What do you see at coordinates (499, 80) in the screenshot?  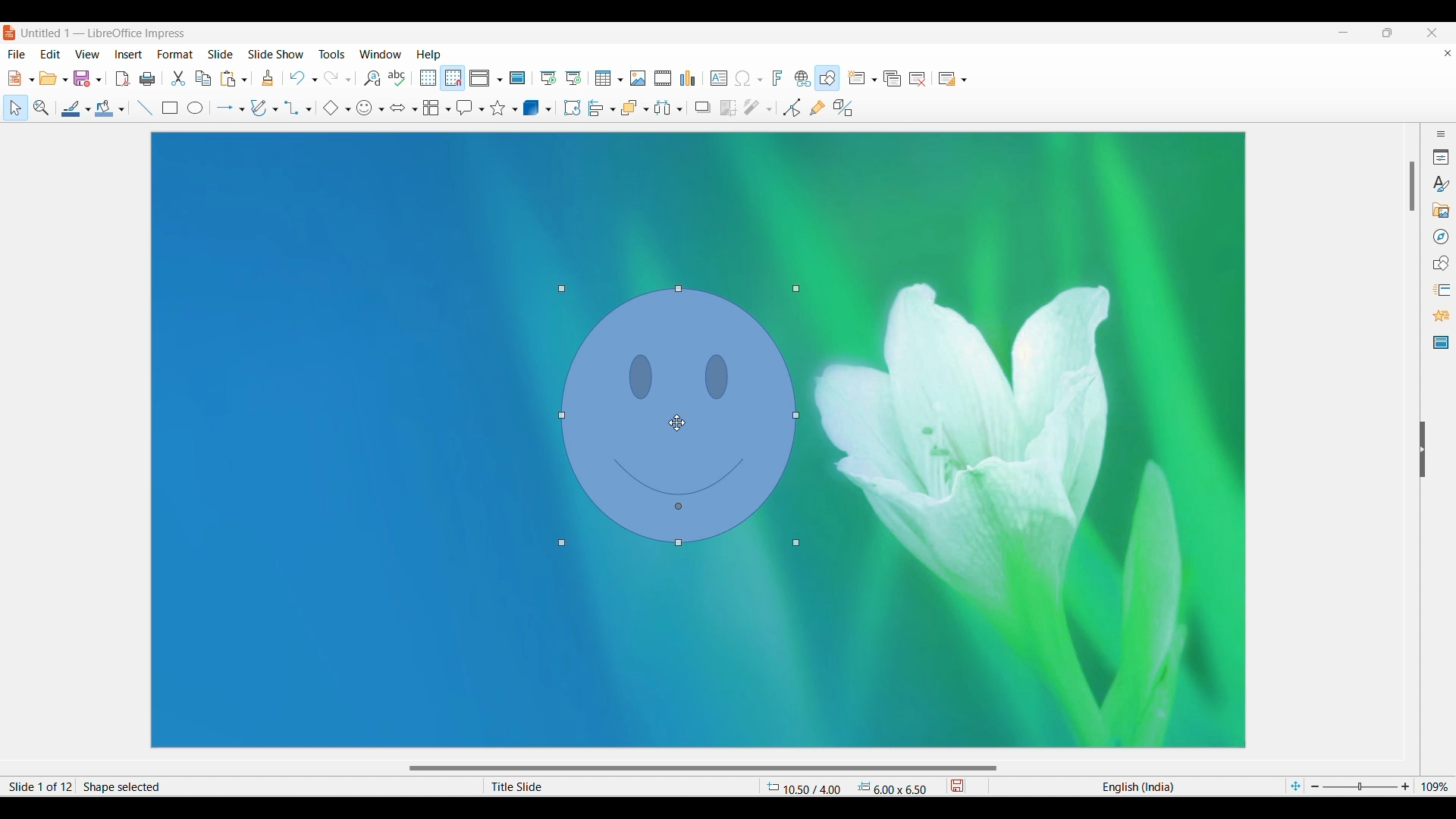 I see `View options` at bounding box center [499, 80].